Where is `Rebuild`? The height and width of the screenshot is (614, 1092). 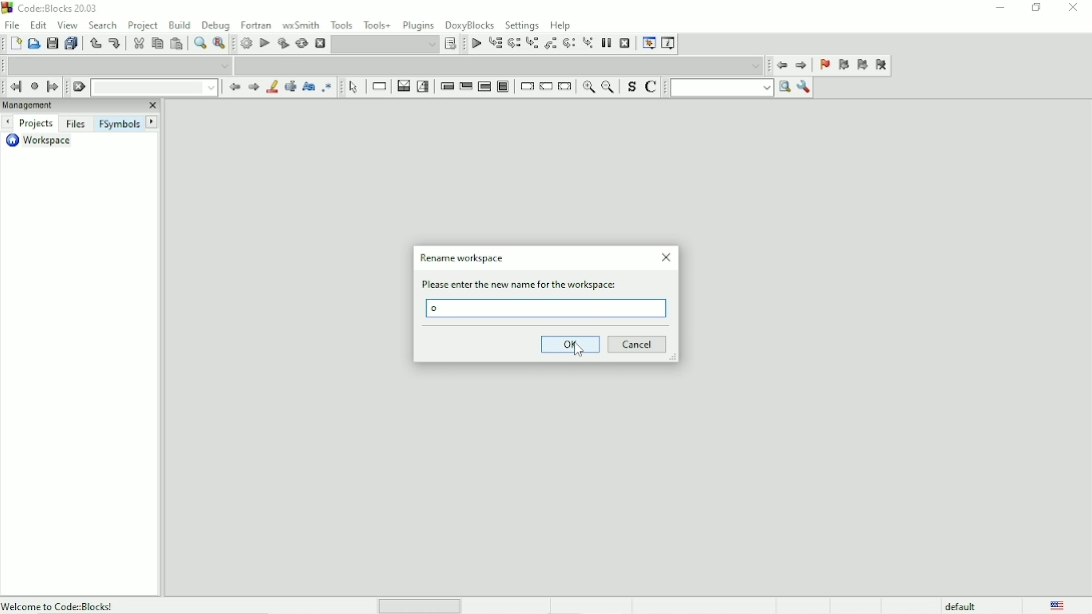
Rebuild is located at coordinates (301, 44).